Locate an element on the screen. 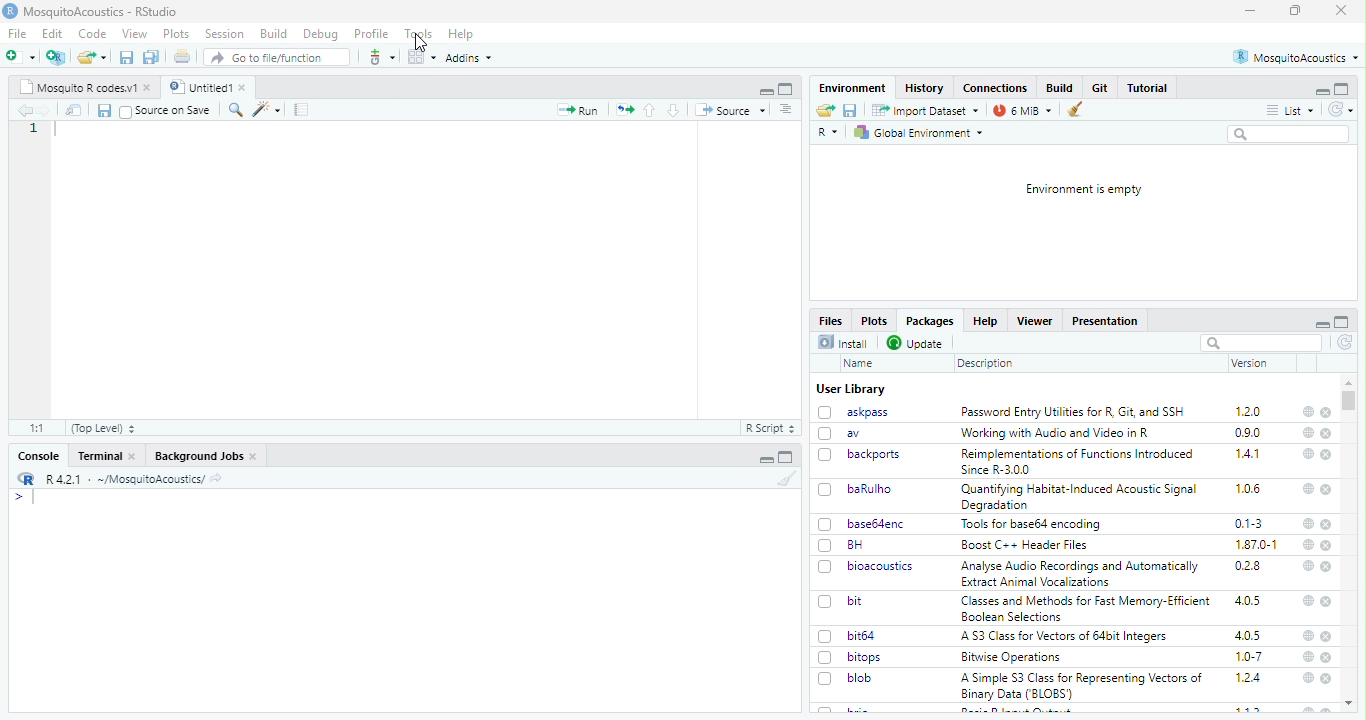  edit is located at coordinates (266, 110).